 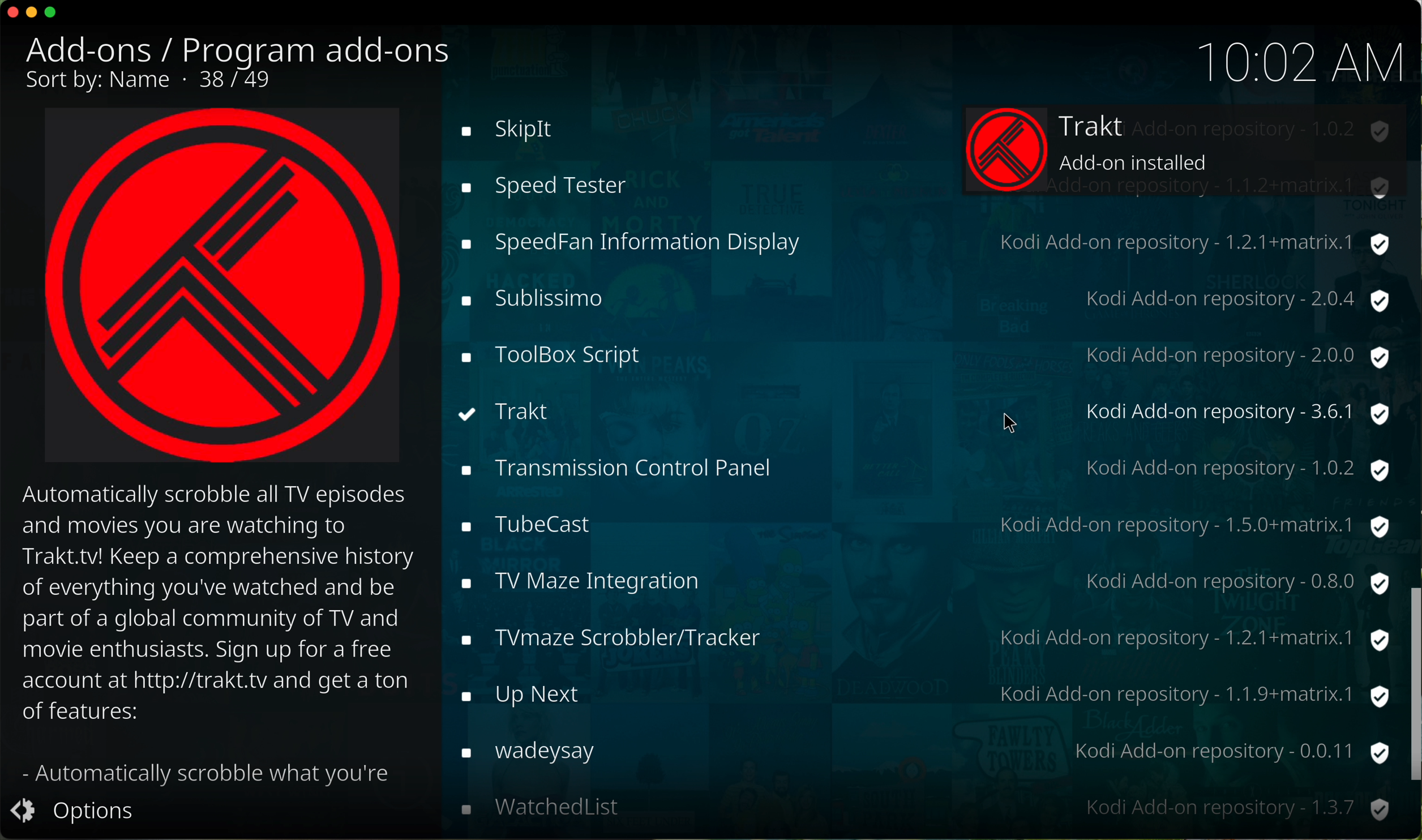 I want to click on add-ons , so click(x=102, y=50).